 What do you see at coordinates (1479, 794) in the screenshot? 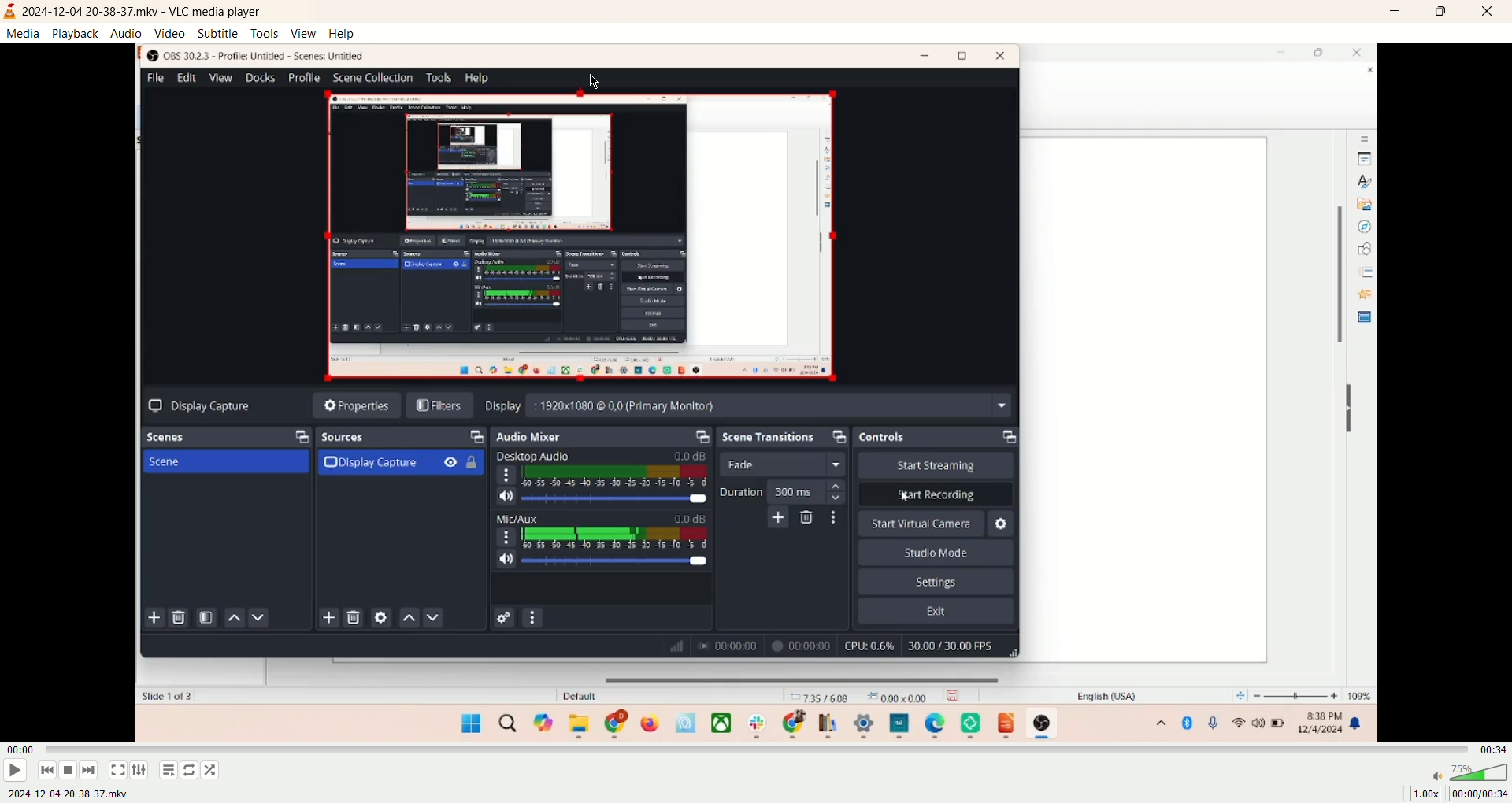
I see `elapsed and remaining time` at bounding box center [1479, 794].